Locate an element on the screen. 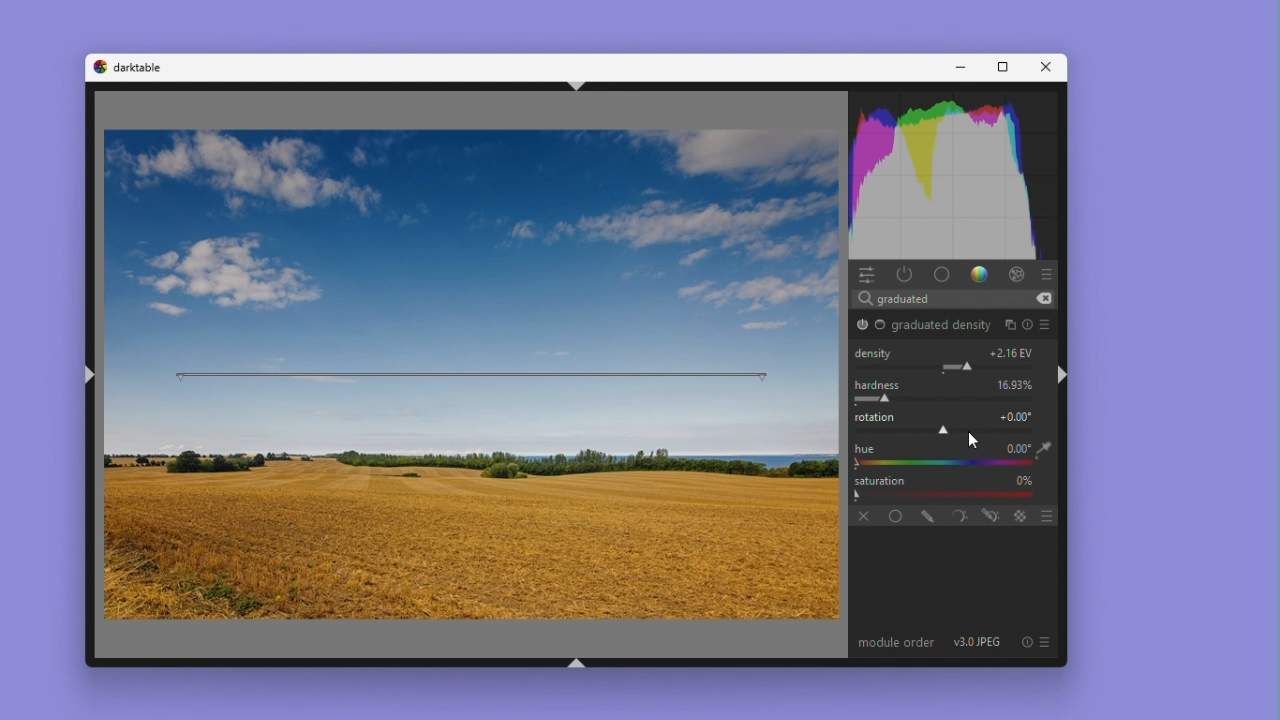 The width and height of the screenshot is (1280, 720). Module Parameter Adjustment Slider is located at coordinates (949, 367).